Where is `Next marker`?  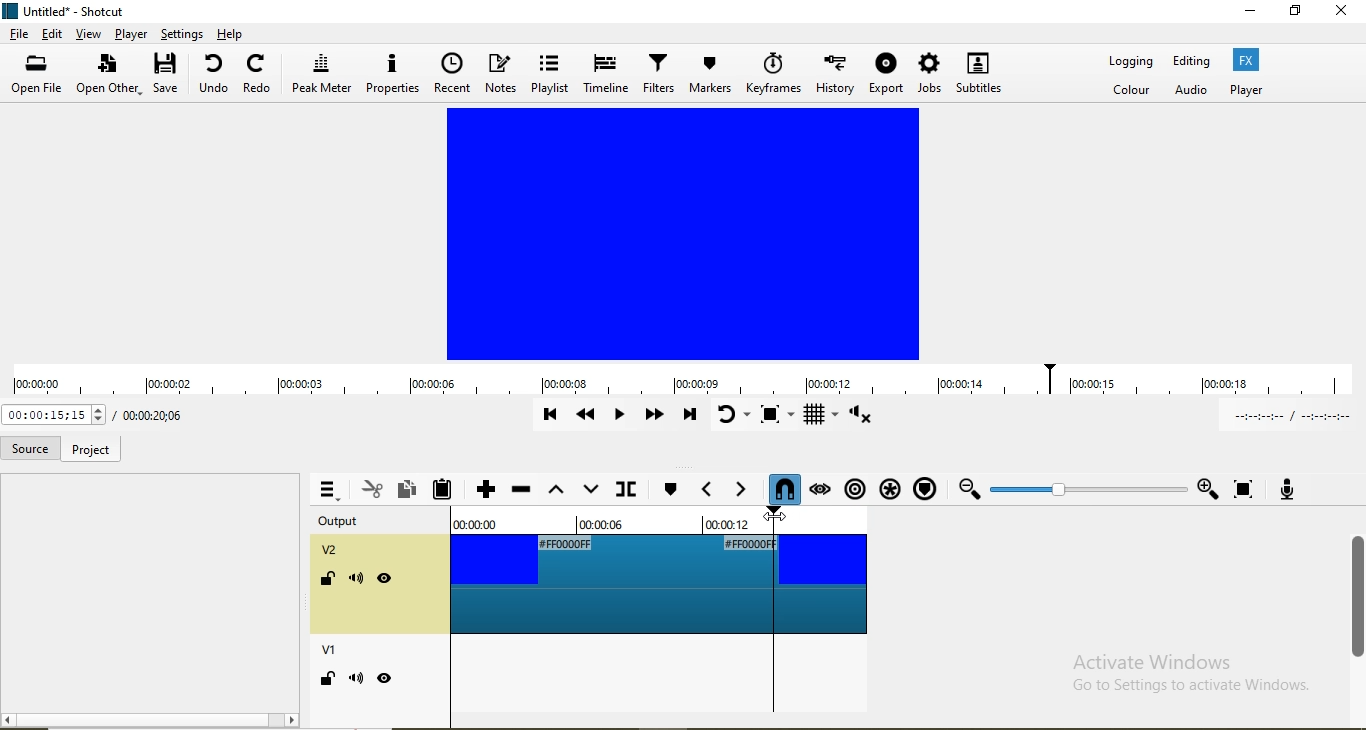 Next marker is located at coordinates (669, 490).